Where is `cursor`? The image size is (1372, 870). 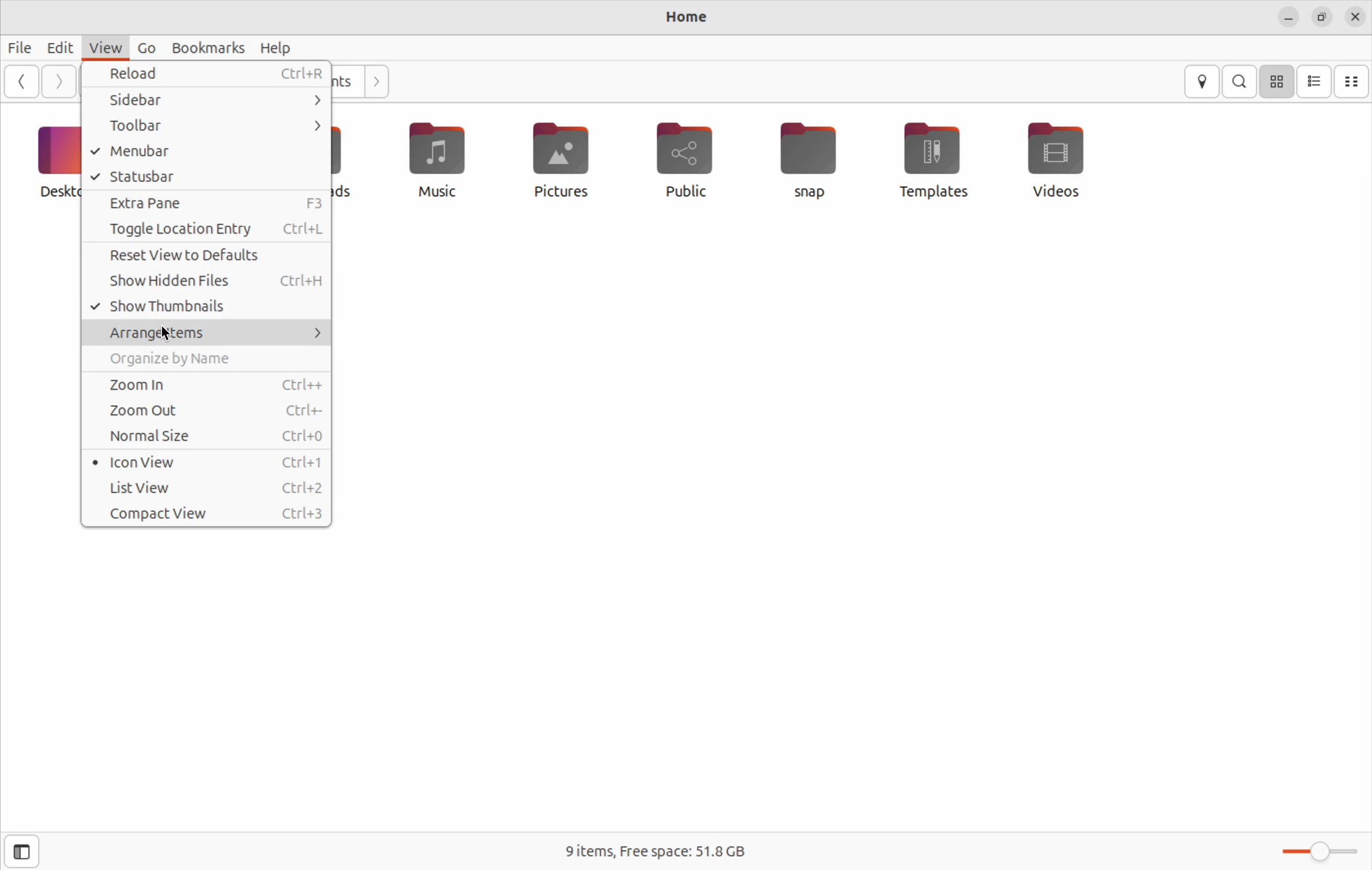 cursor is located at coordinates (169, 335).